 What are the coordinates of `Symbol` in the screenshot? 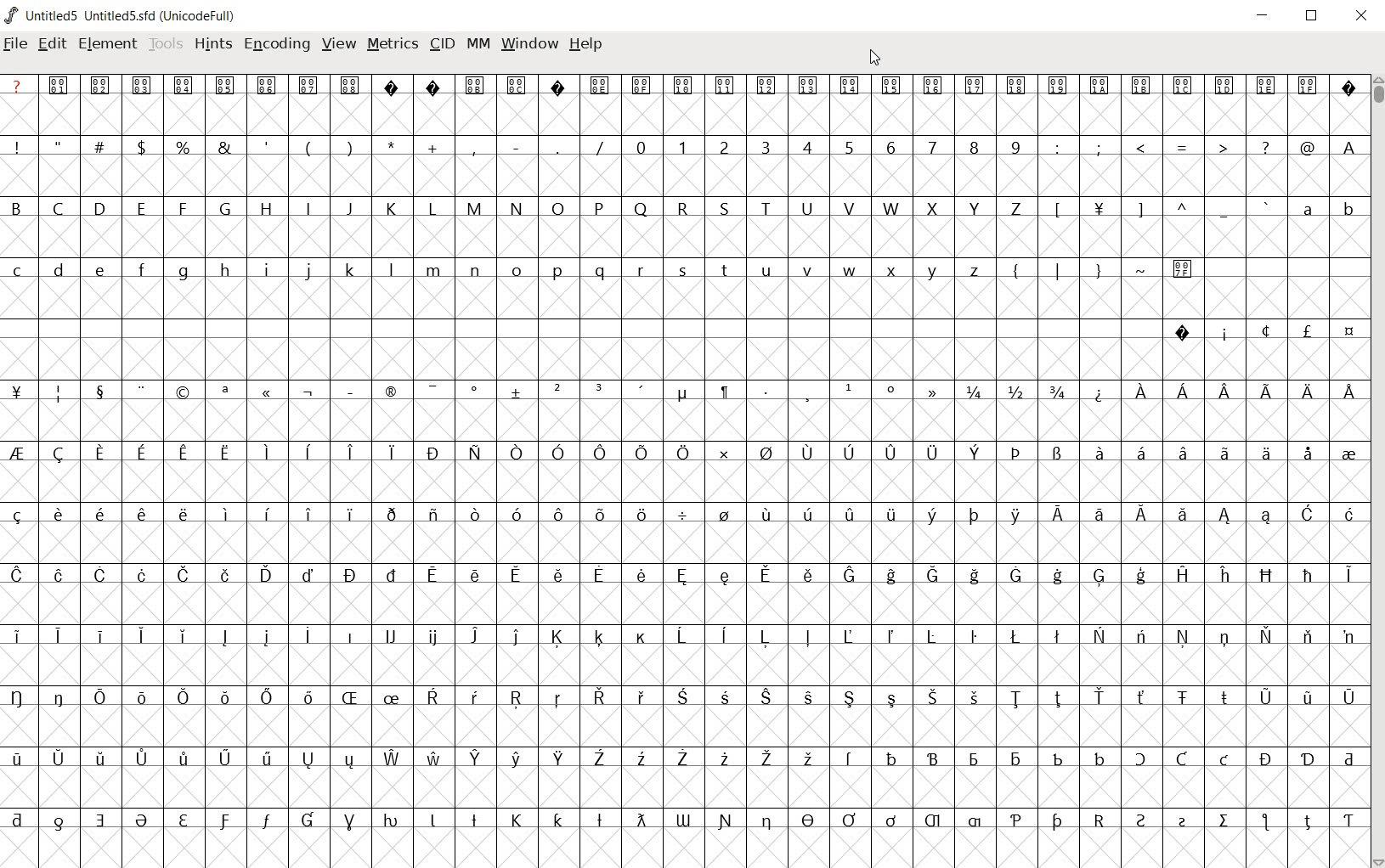 It's located at (517, 454).